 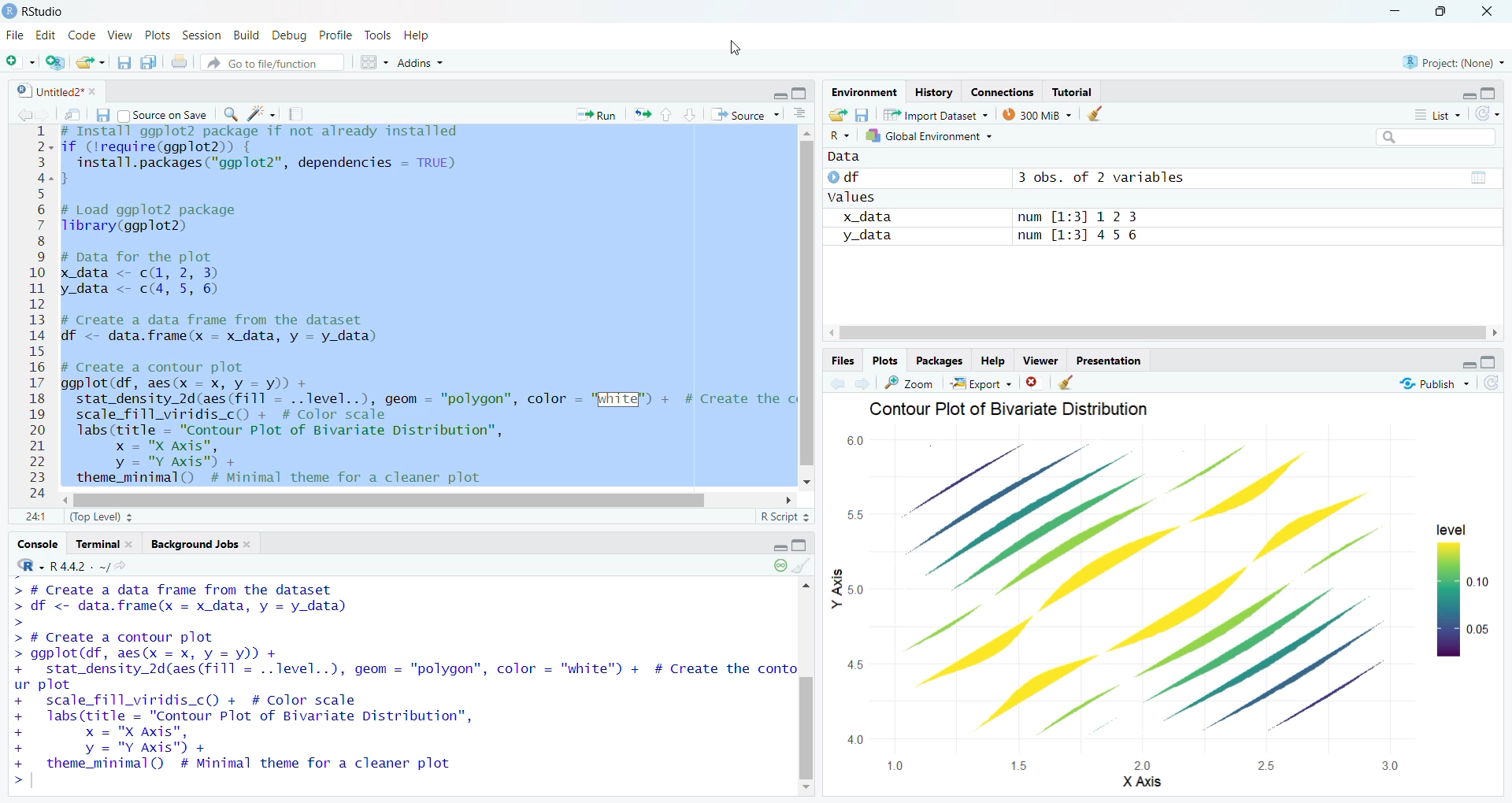 What do you see at coordinates (1439, 13) in the screenshot?
I see `maximize` at bounding box center [1439, 13].